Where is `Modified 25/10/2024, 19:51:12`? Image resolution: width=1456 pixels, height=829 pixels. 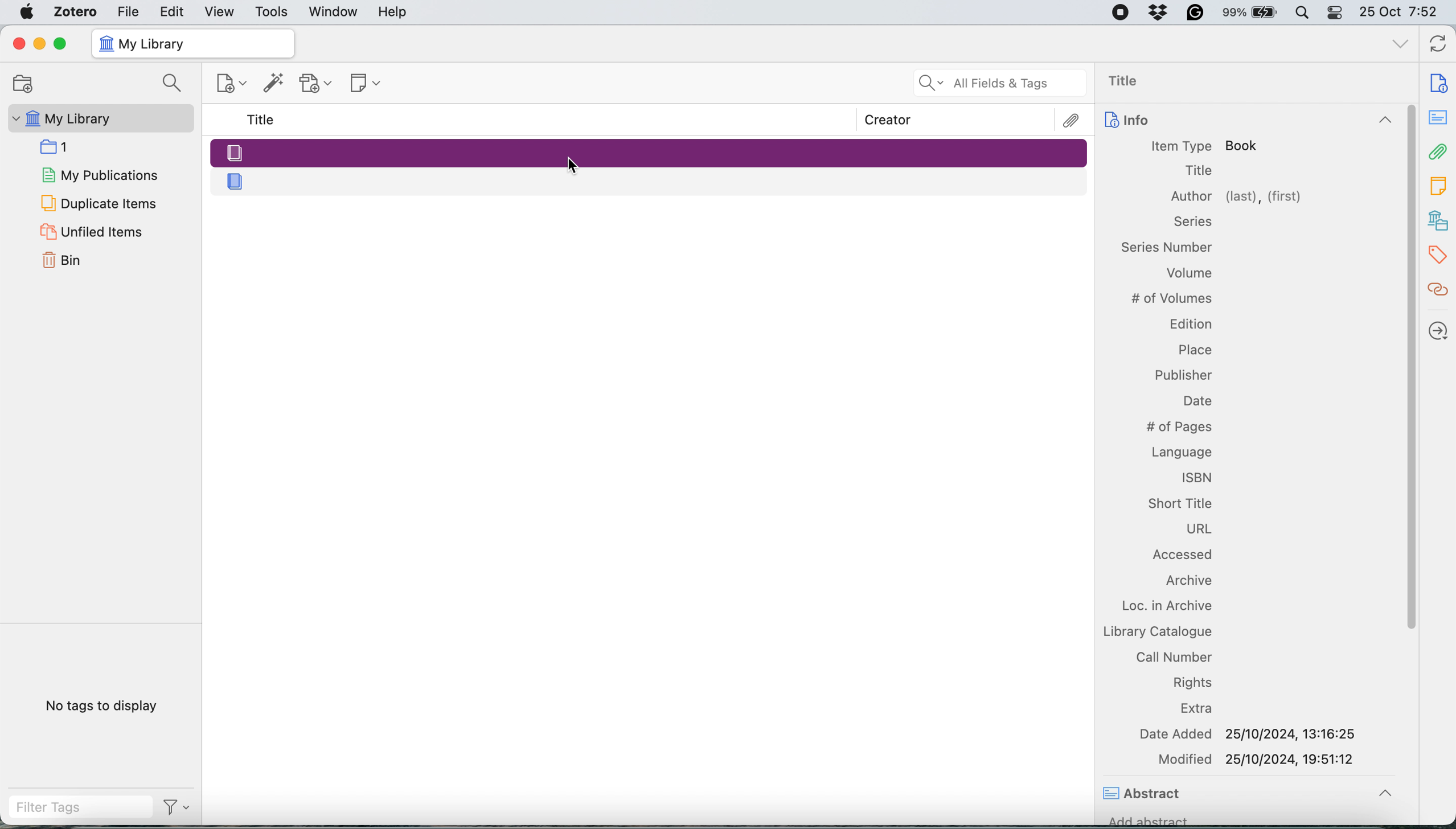 Modified 25/10/2024, 19:51:12 is located at coordinates (1258, 759).